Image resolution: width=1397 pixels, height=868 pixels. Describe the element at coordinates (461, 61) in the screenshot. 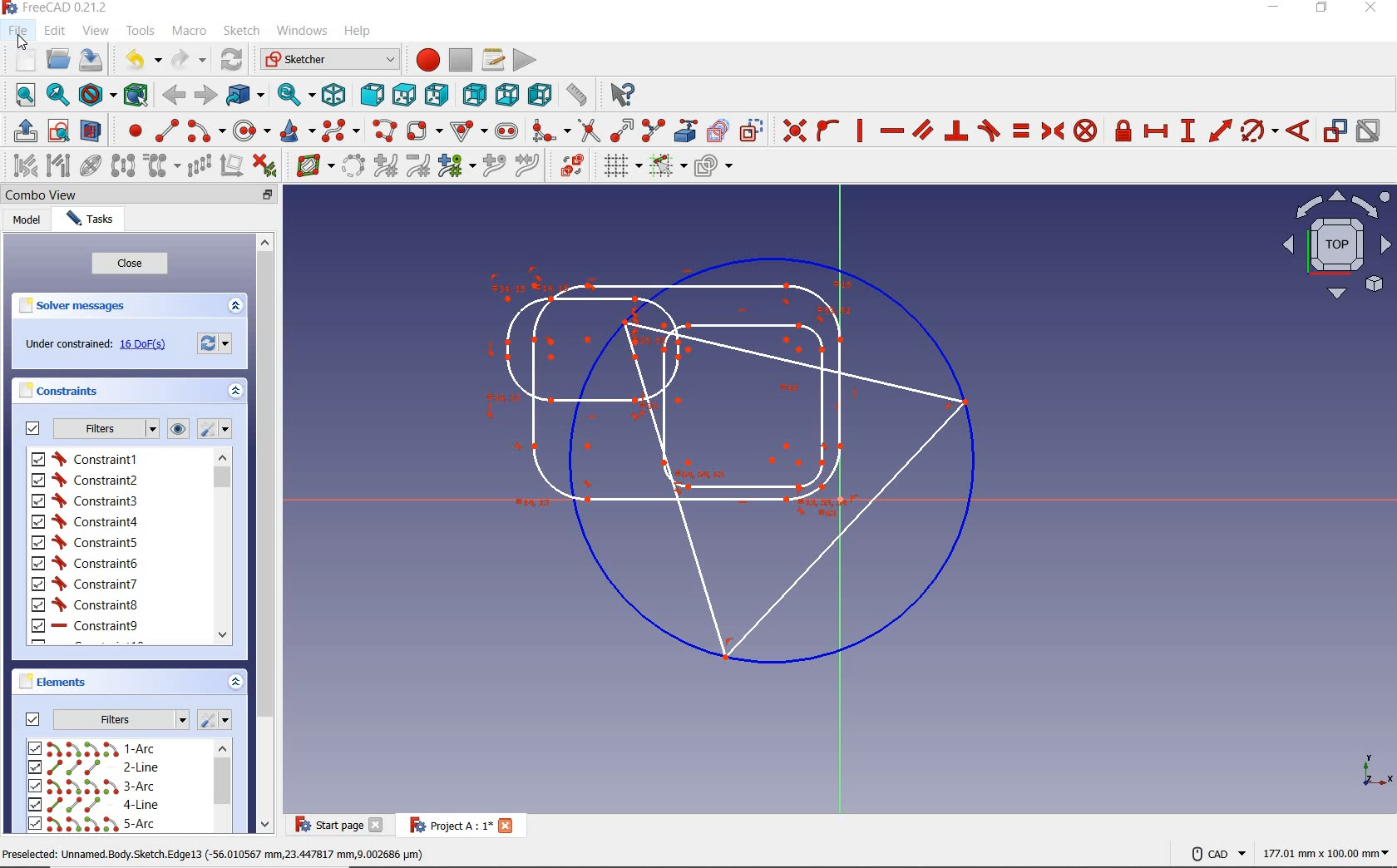

I see `stop macro recording` at that location.